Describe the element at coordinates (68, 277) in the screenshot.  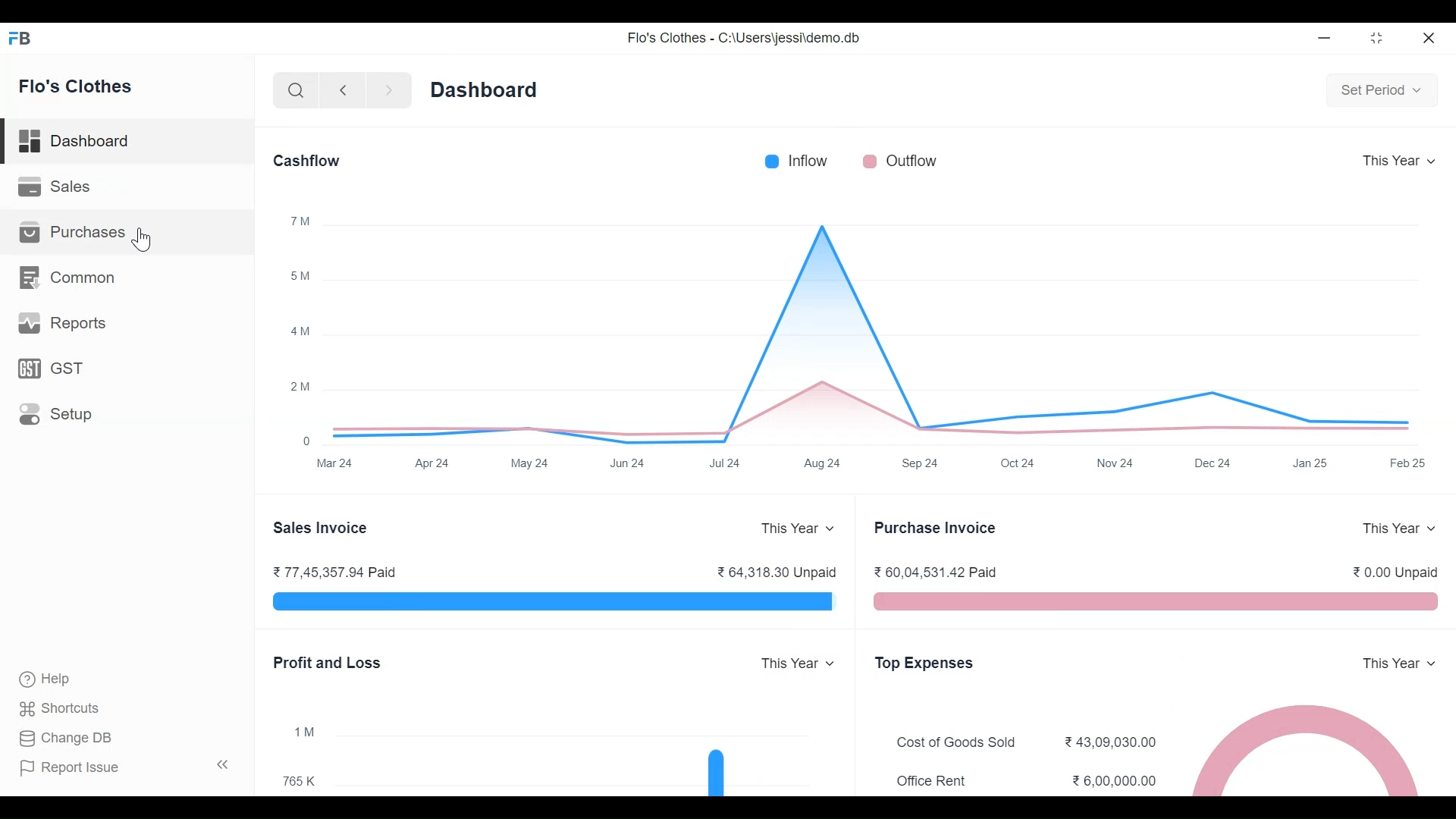
I see `Common` at that location.